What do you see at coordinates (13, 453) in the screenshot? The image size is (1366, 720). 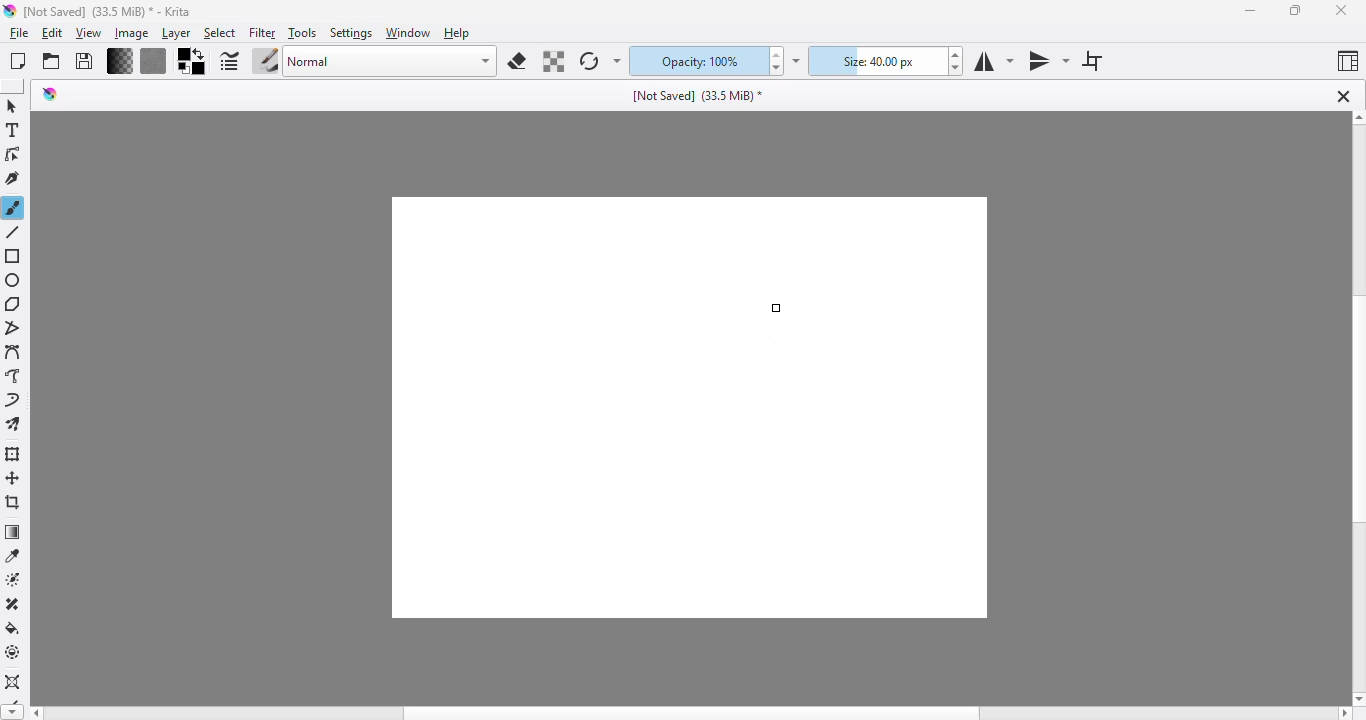 I see `transform a layer or a selection` at bounding box center [13, 453].